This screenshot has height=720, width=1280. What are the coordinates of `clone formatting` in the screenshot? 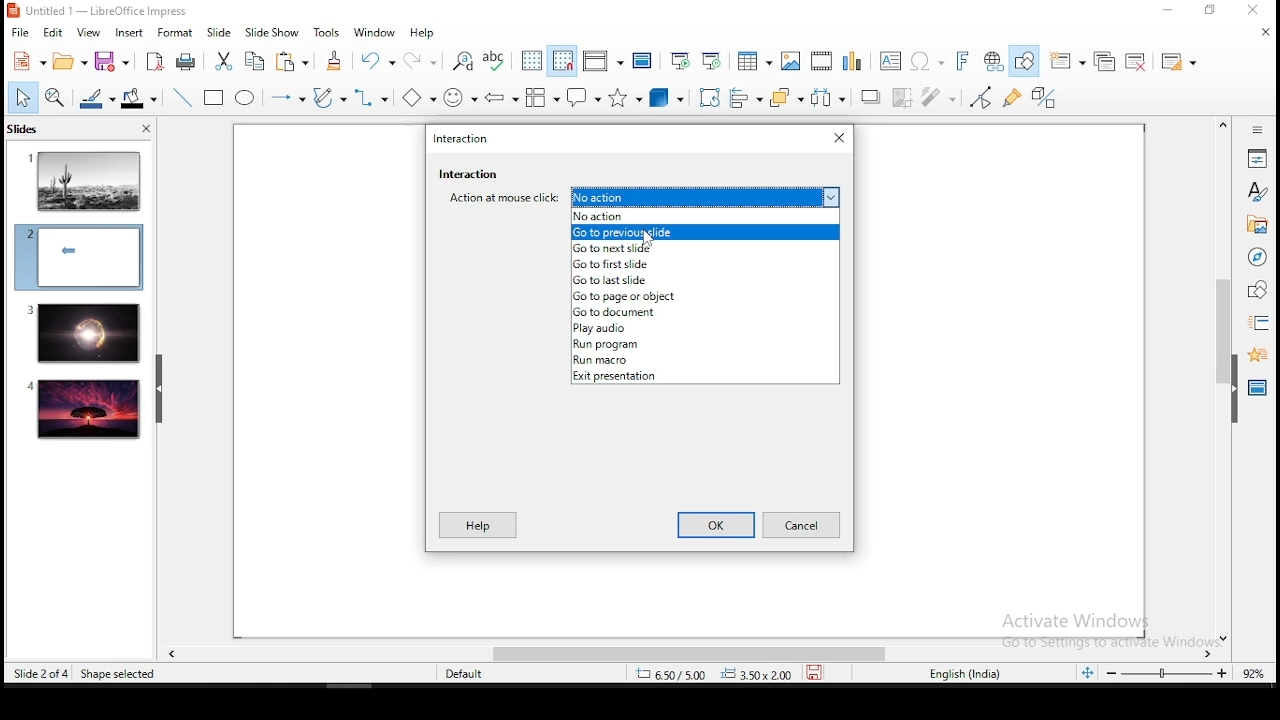 It's located at (335, 61).